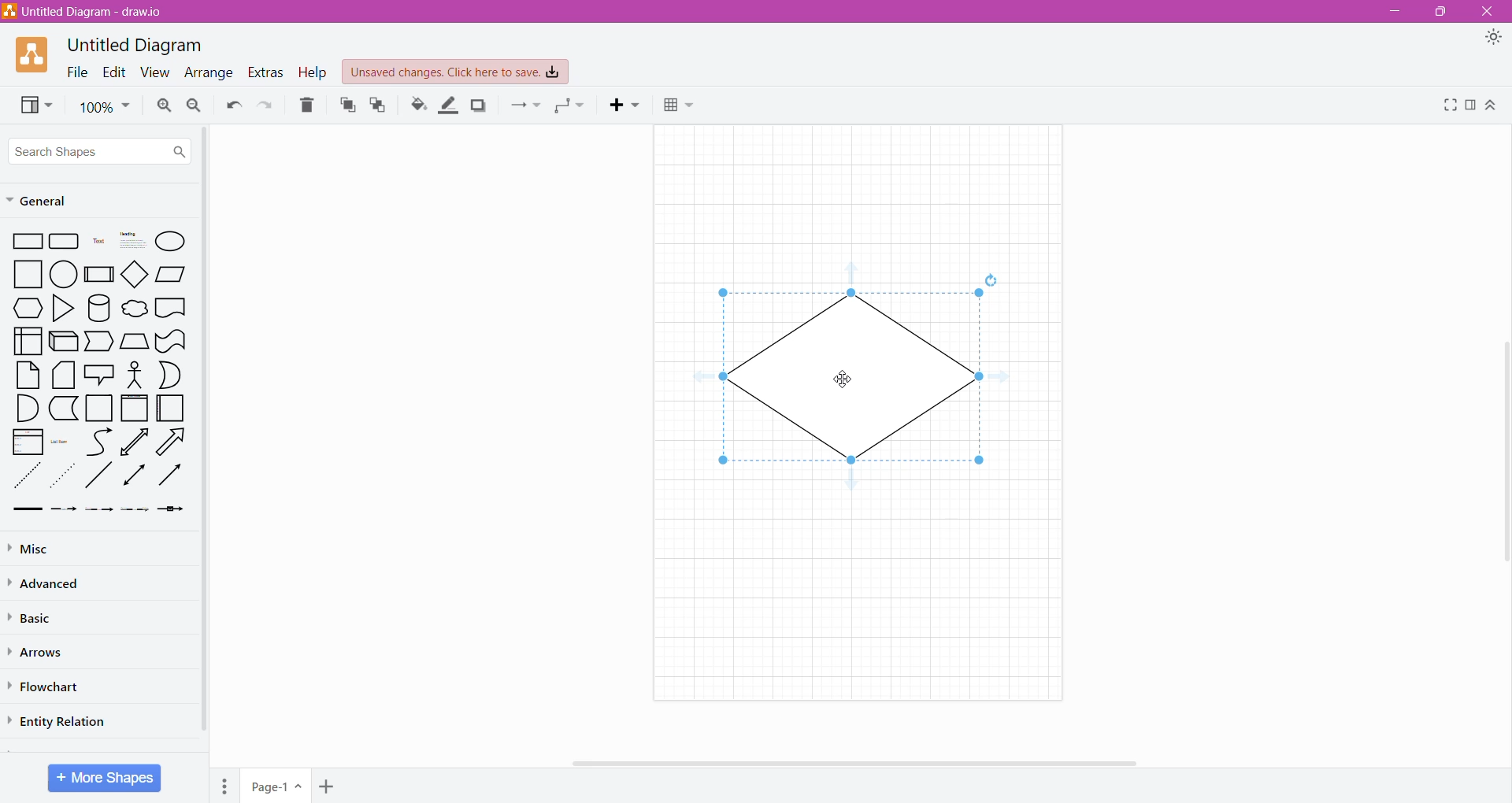 The image size is (1512, 803). What do you see at coordinates (138, 46) in the screenshot?
I see `Untitle Diagram` at bounding box center [138, 46].